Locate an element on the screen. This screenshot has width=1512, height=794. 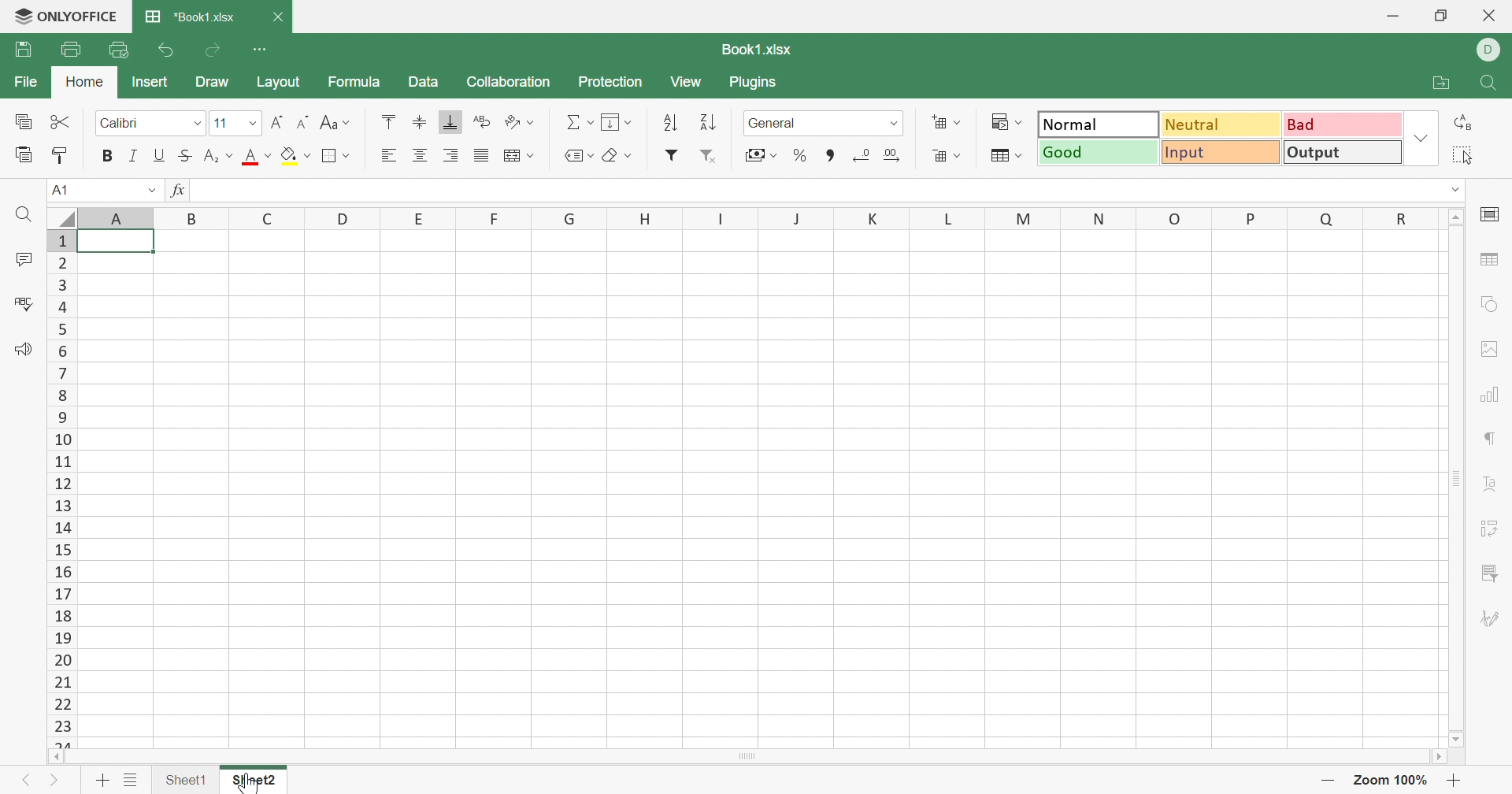
Select all is located at coordinates (1465, 153).